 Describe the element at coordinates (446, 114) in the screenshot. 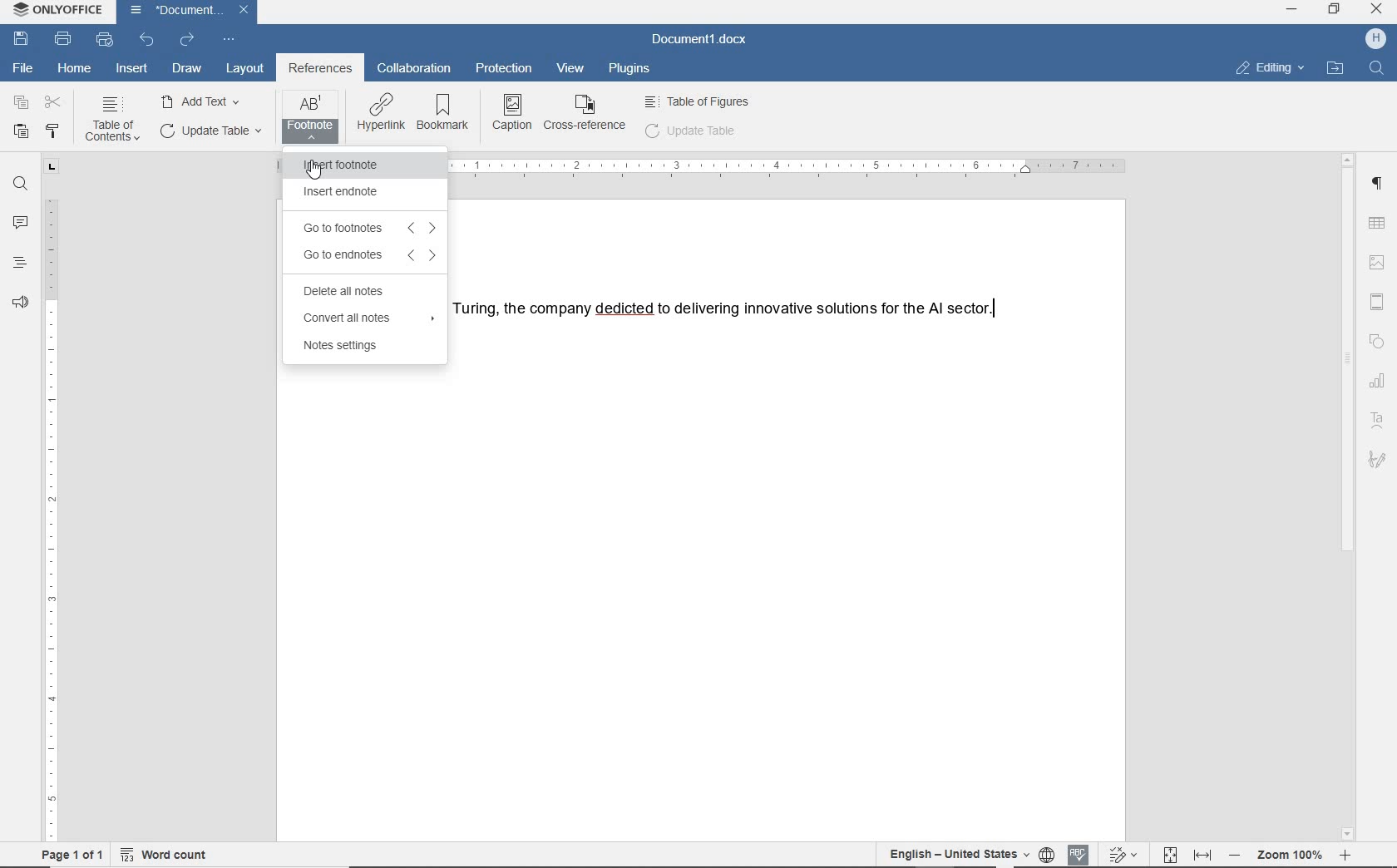

I see `bookmark` at that location.